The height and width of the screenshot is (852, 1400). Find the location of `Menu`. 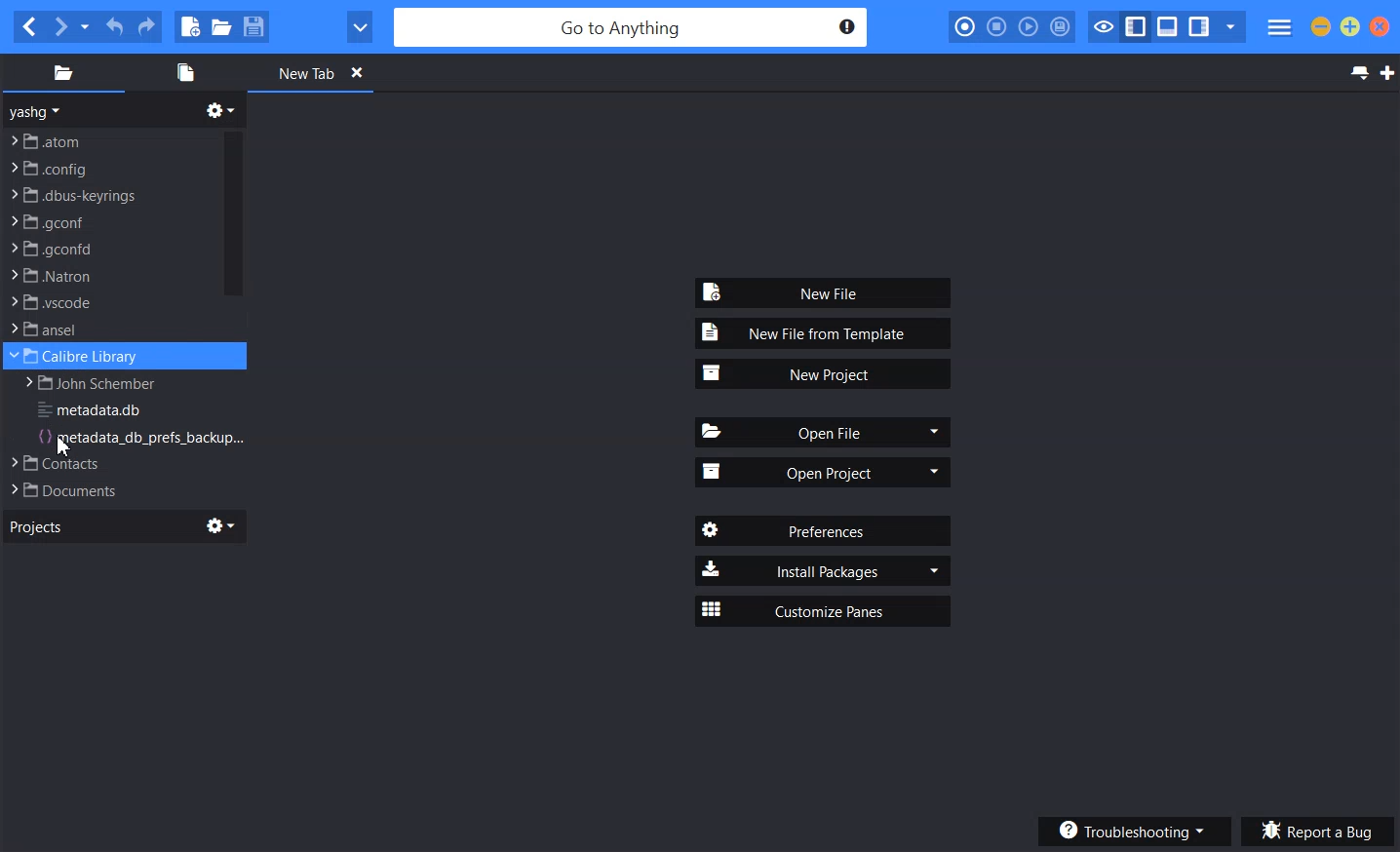

Menu is located at coordinates (1280, 28).